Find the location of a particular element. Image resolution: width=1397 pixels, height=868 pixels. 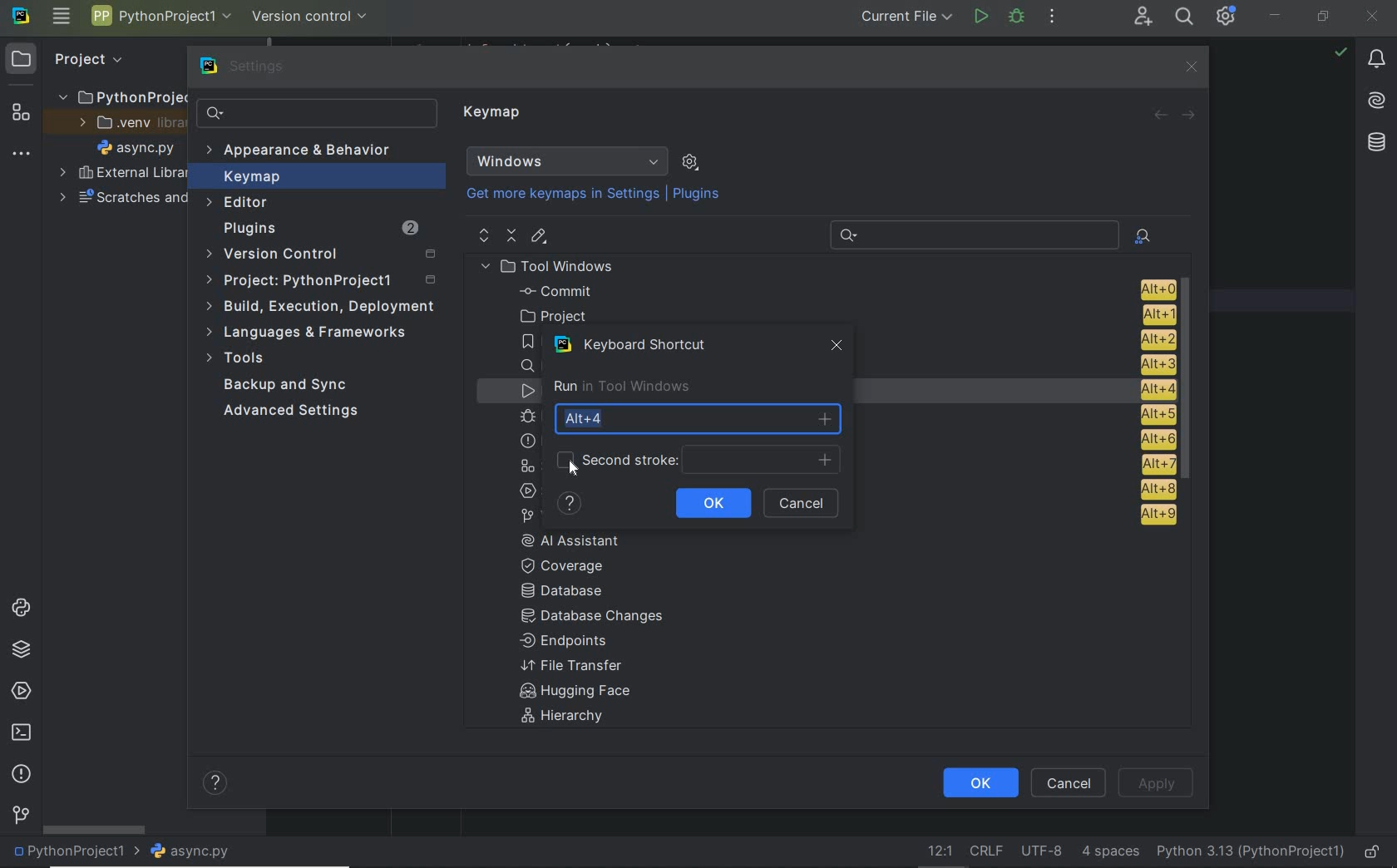

Run in Tool Windows is located at coordinates (621, 387).